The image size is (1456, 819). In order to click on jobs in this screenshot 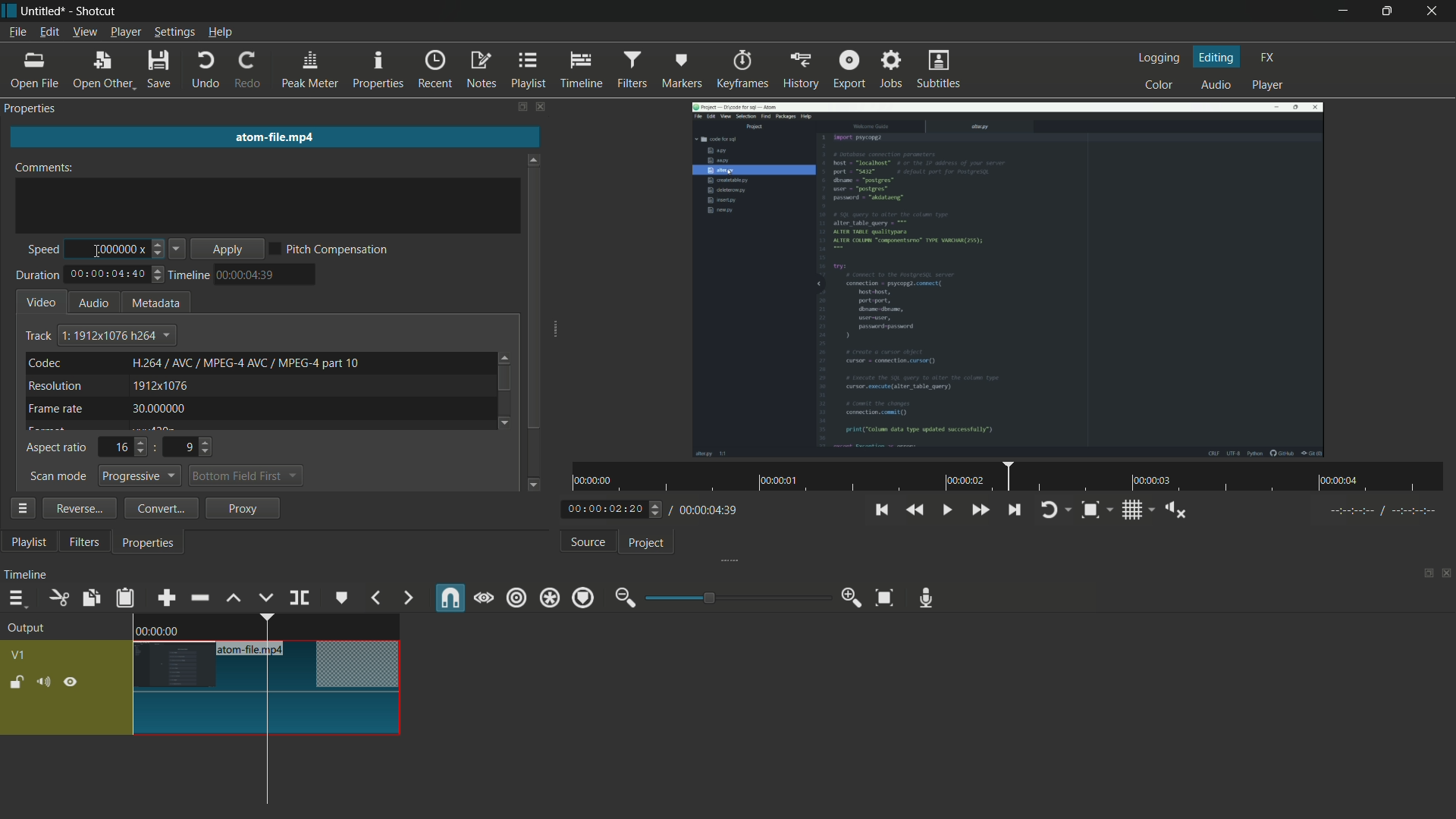, I will do `click(891, 69)`.